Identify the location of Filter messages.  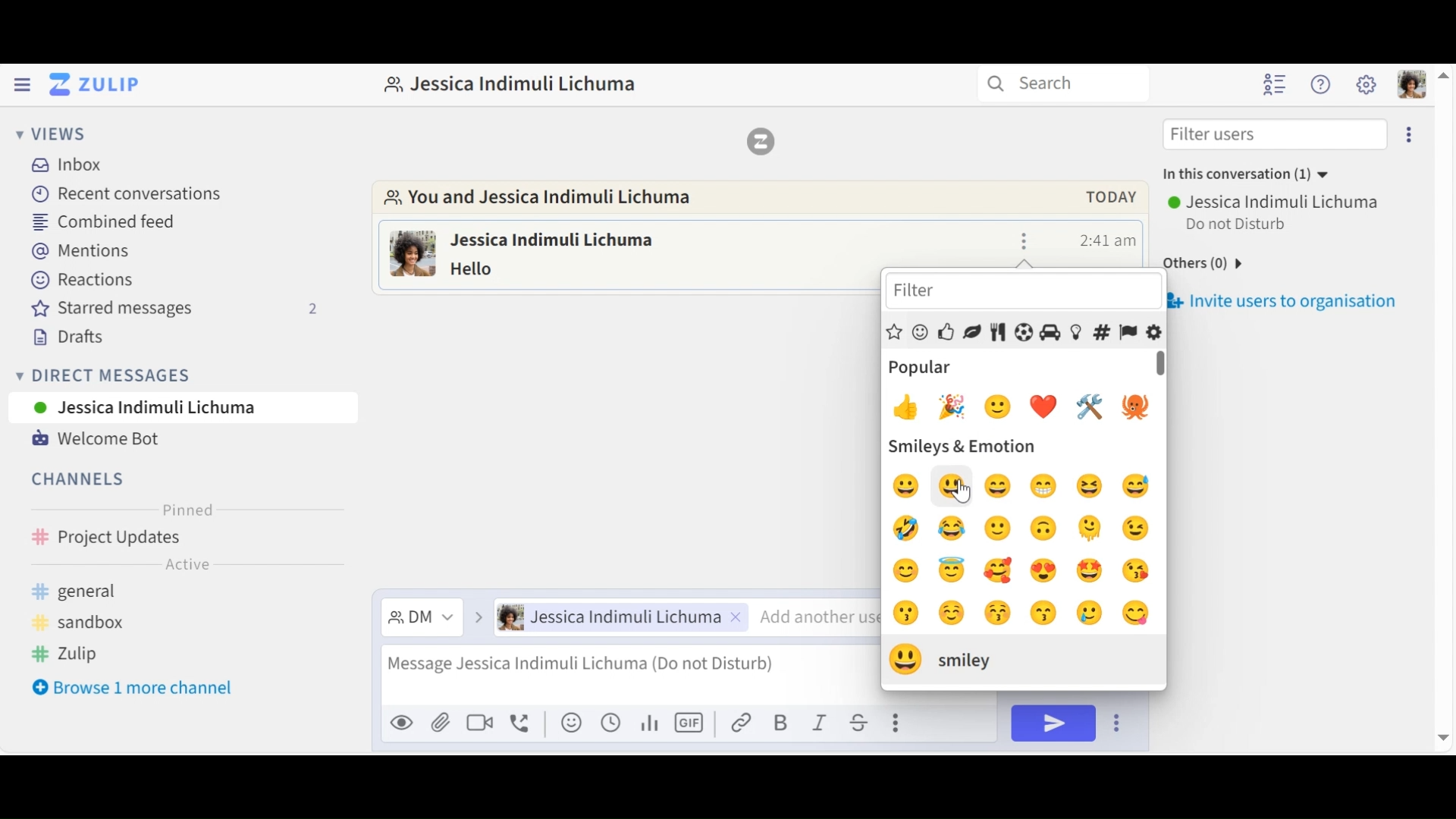
(421, 619).